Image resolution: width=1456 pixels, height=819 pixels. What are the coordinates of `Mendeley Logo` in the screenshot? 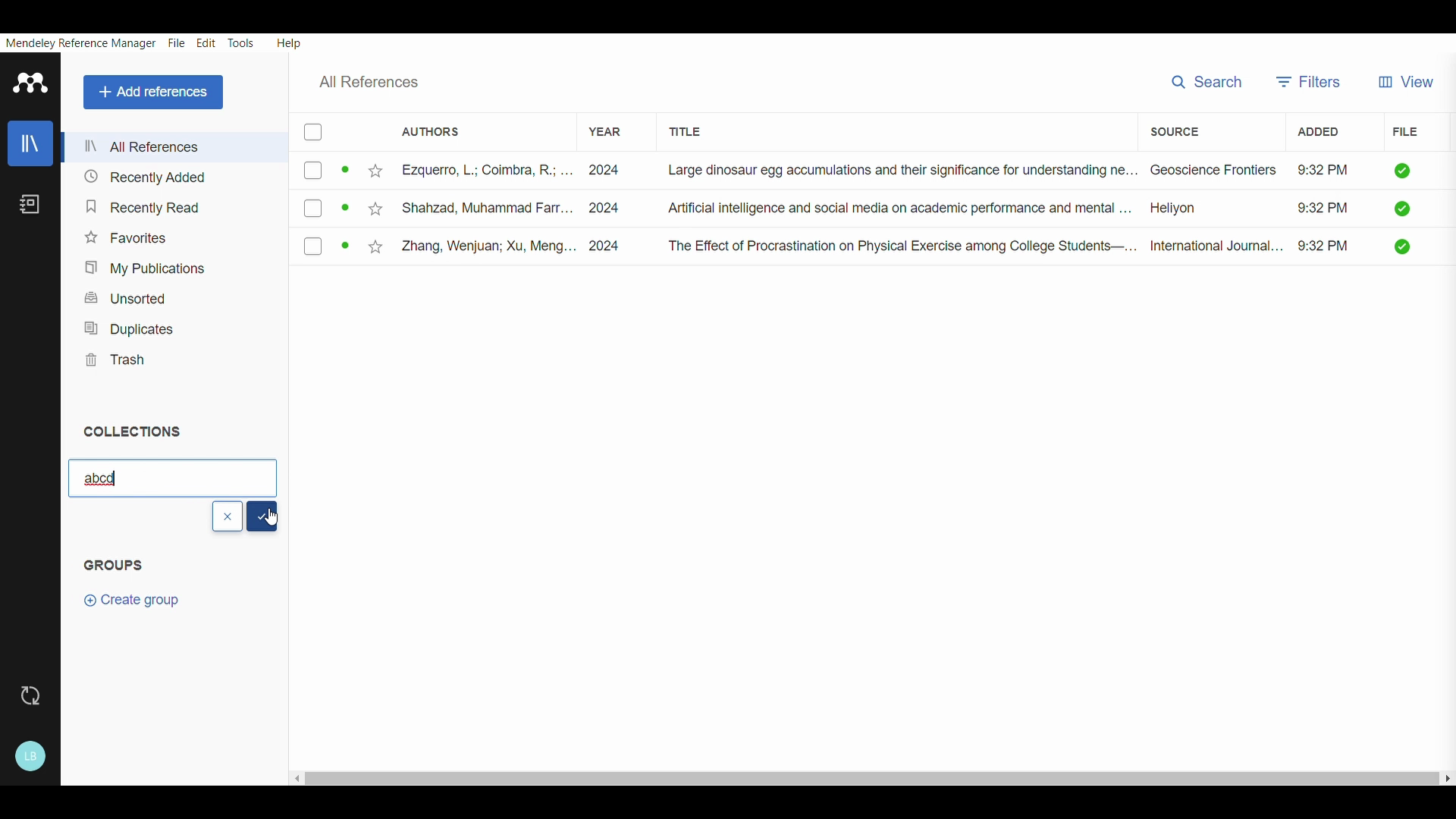 It's located at (31, 82).